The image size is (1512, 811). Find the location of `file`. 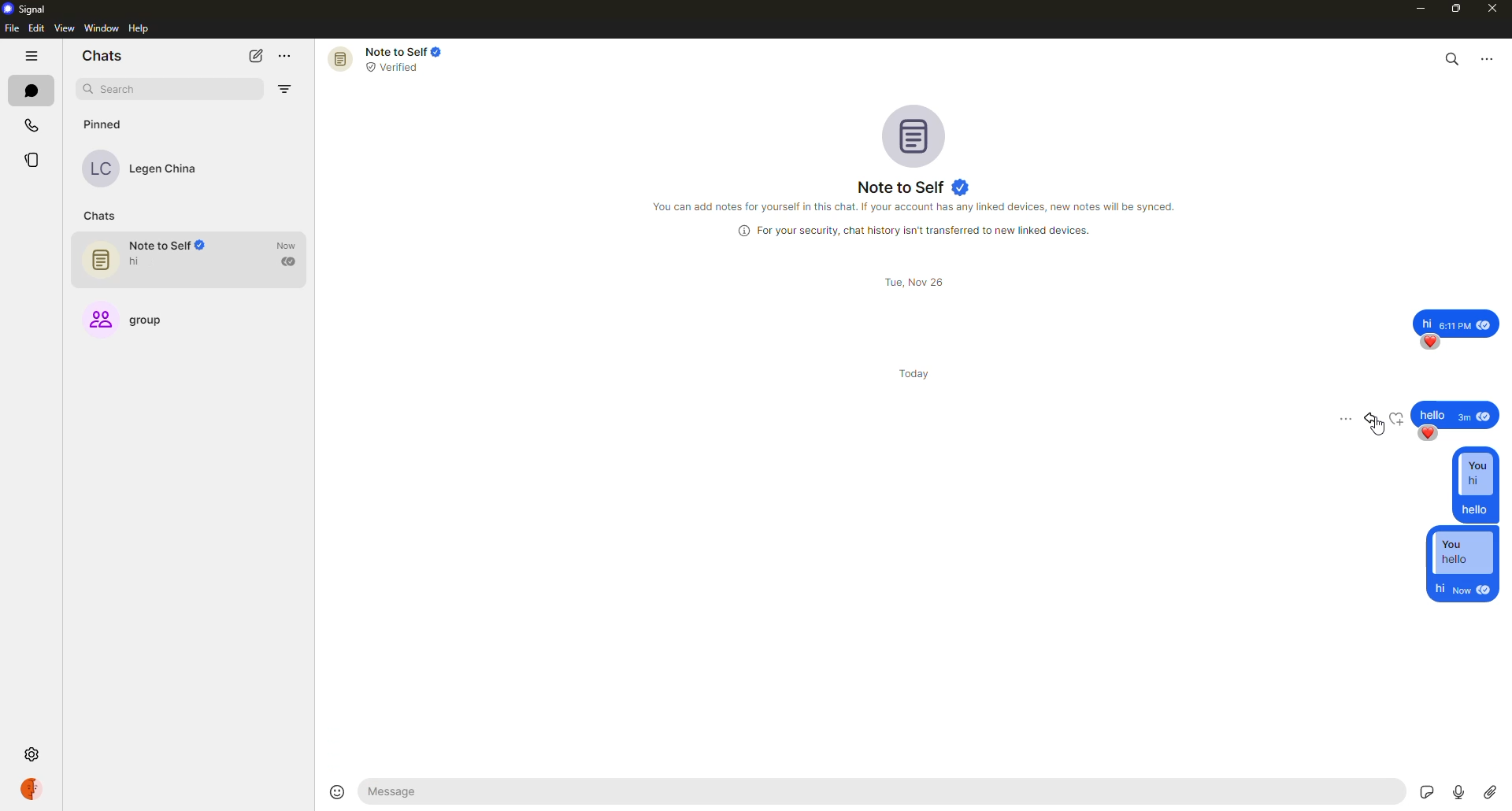

file is located at coordinates (13, 28).